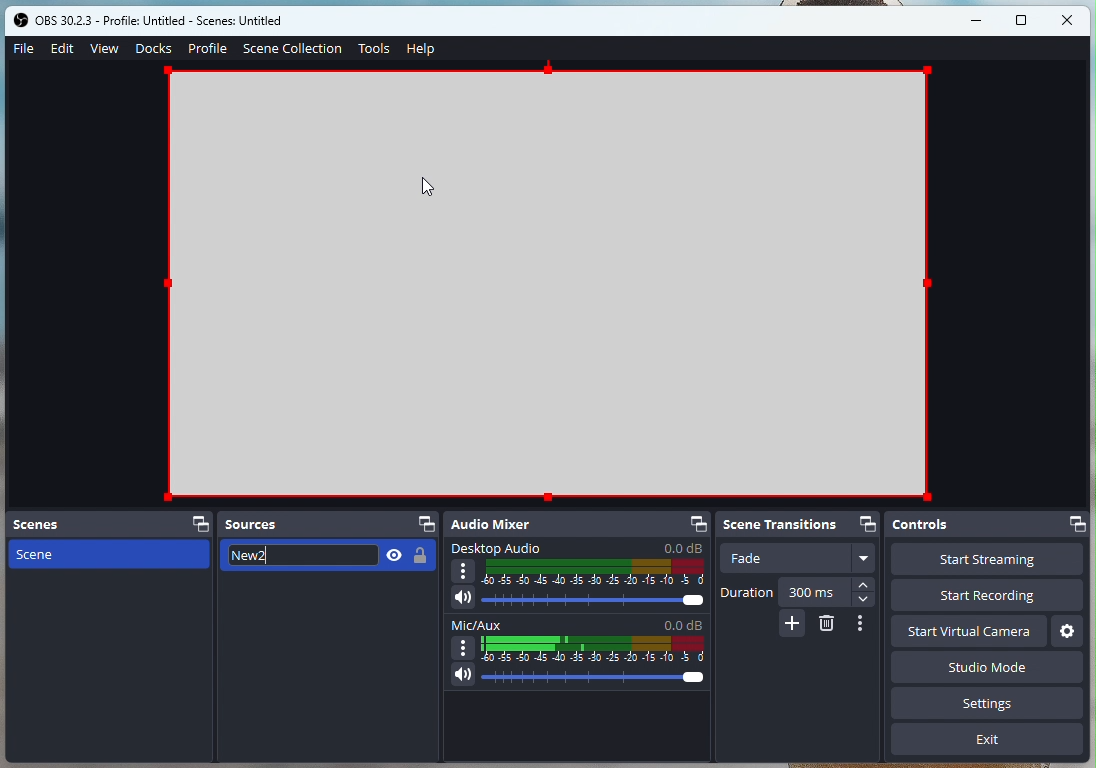  What do you see at coordinates (580, 577) in the screenshot?
I see `Desktop Audio` at bounding box center [580, 577].